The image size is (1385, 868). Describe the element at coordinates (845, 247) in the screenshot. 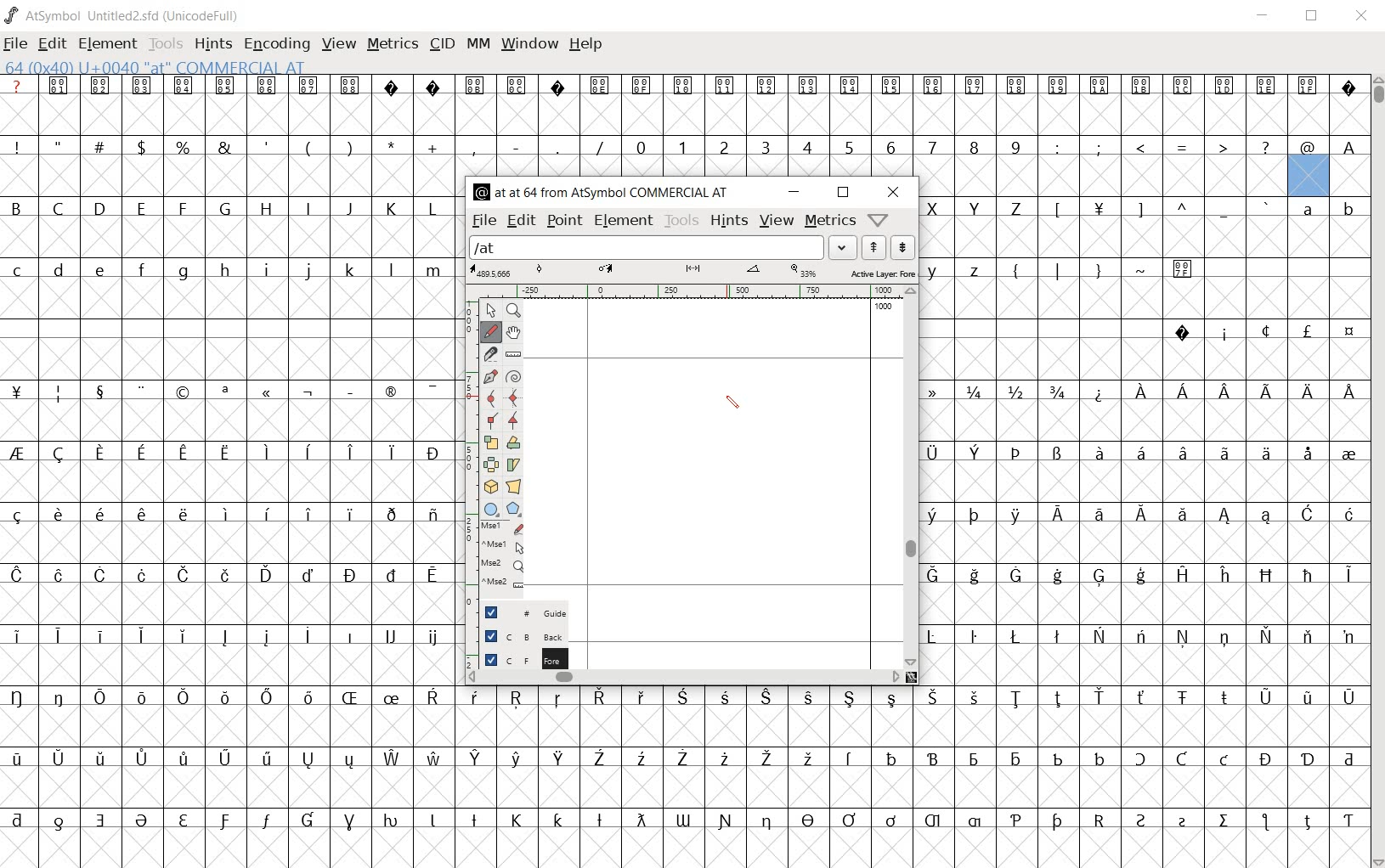

I see `load word list dropdown` at that location.